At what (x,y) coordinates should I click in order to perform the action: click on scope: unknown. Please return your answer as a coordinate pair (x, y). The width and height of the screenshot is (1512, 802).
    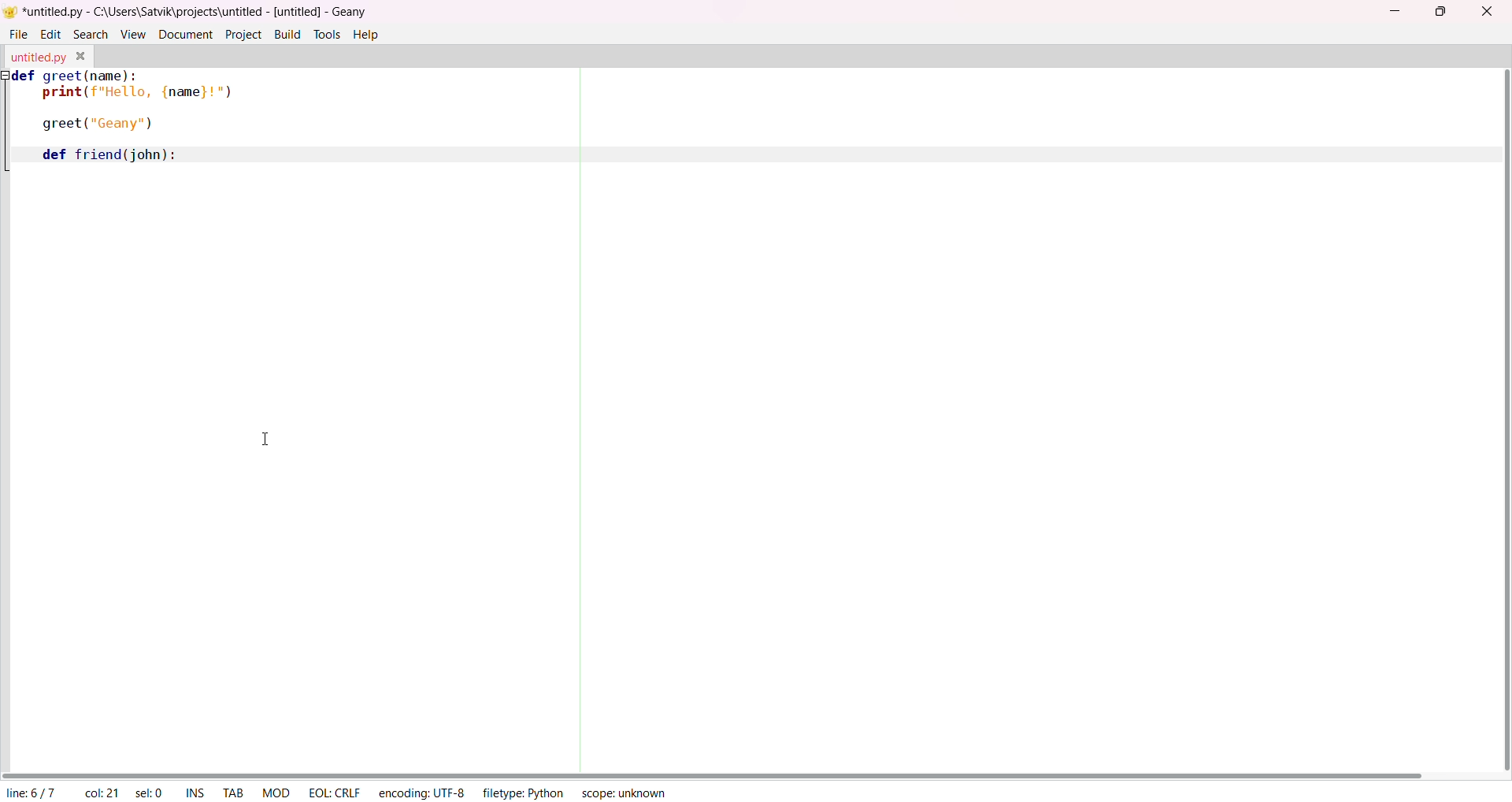
    Looking at the image, I should click on (631, 793).